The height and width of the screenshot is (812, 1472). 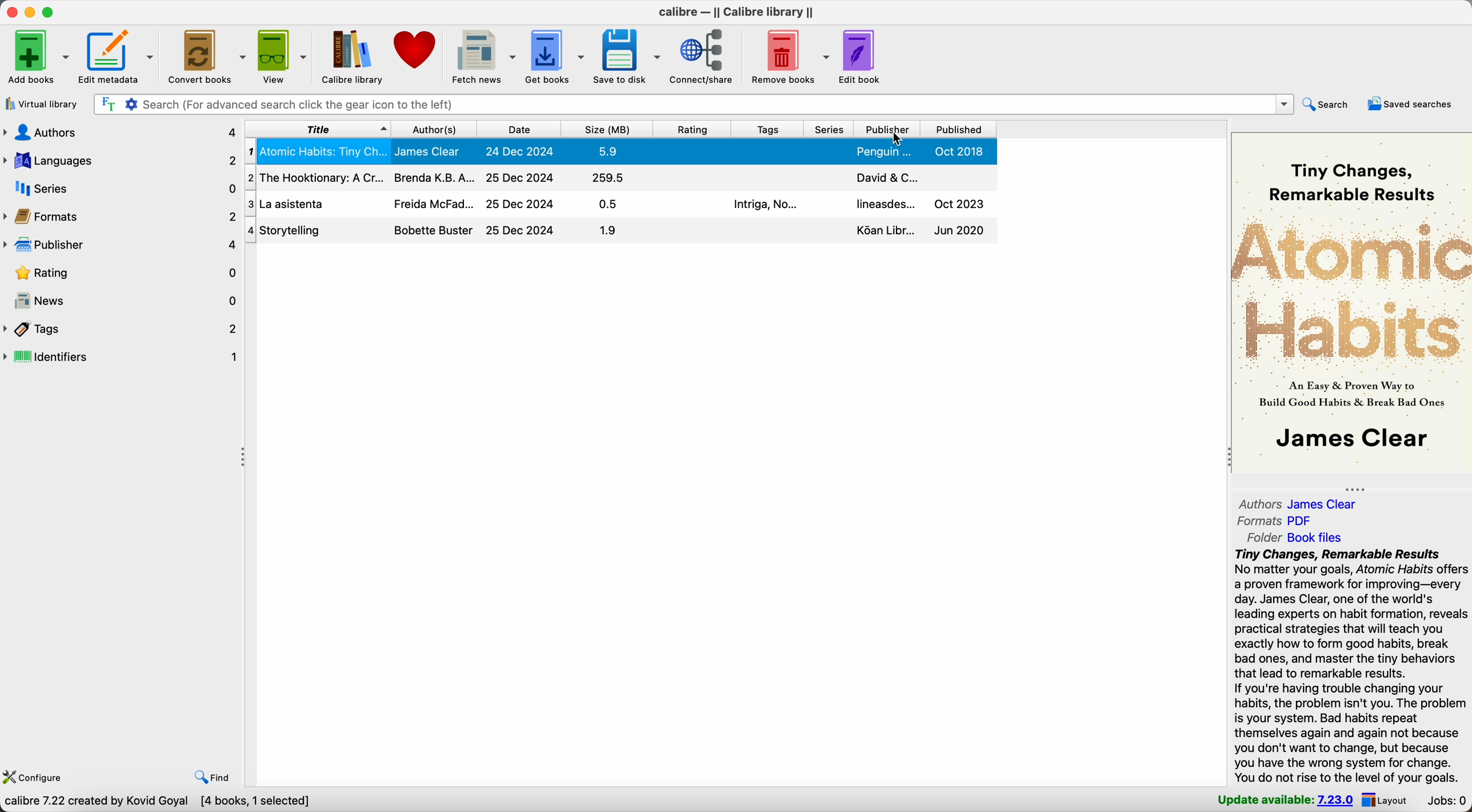 I want to click on authors, so click(x=122, y=130).